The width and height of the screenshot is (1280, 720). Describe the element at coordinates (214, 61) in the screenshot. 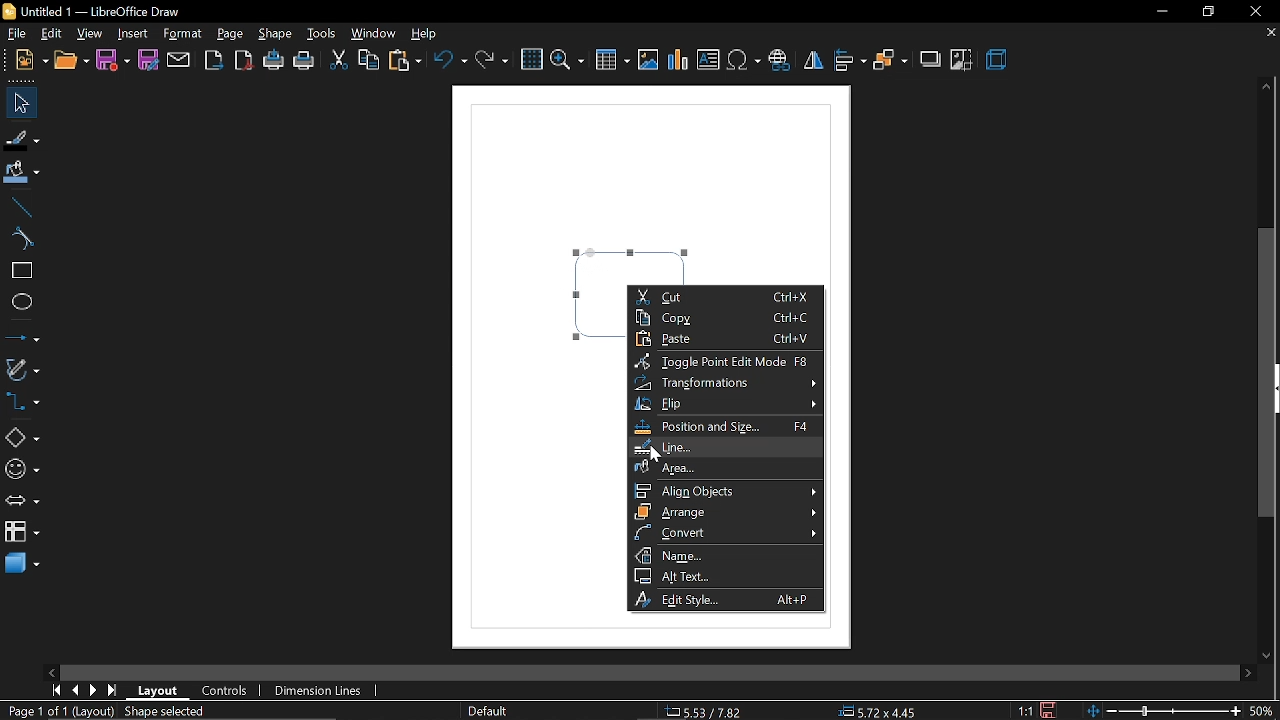

I see `export` at that location.